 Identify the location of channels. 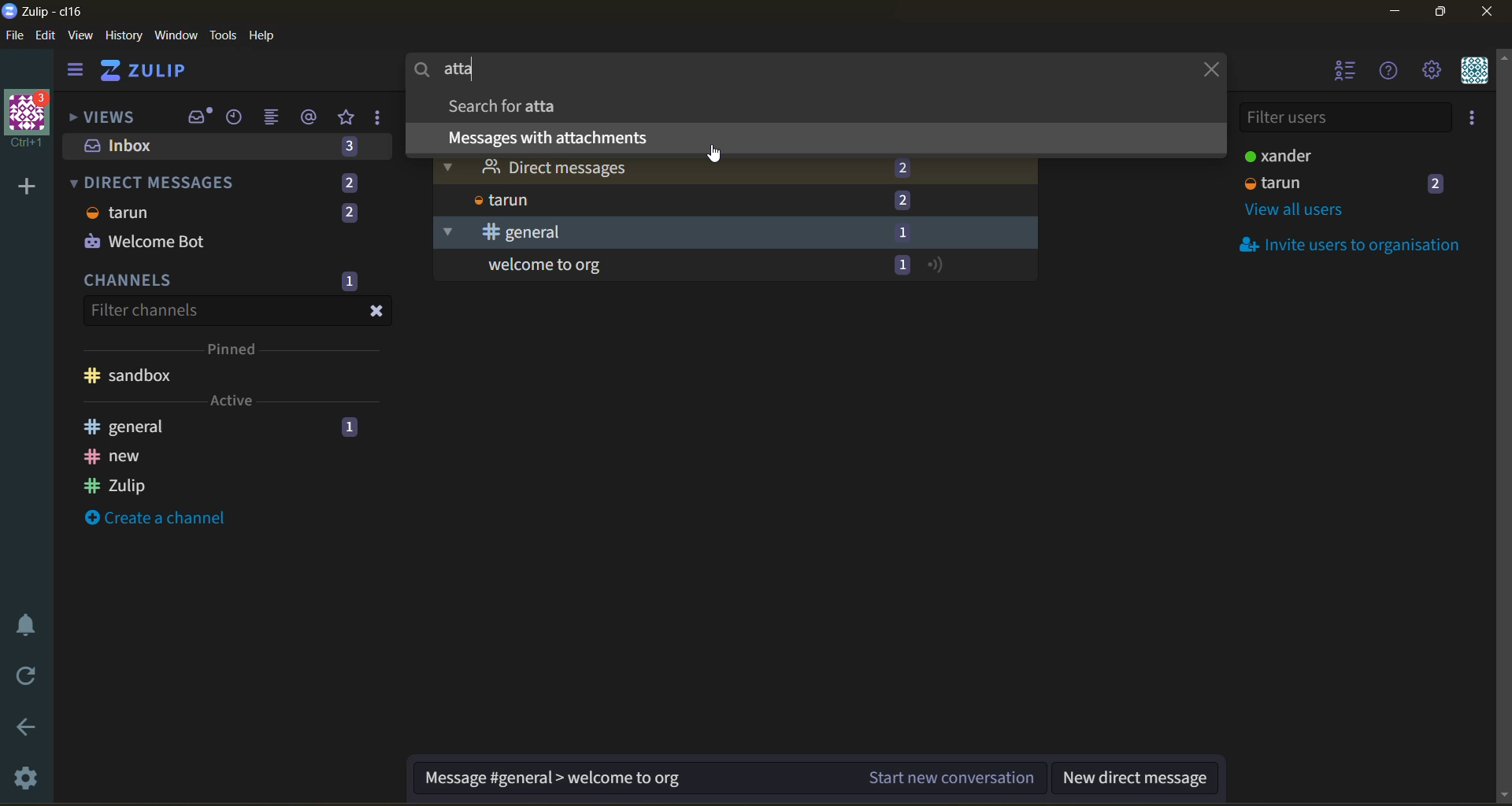
(131, 279).